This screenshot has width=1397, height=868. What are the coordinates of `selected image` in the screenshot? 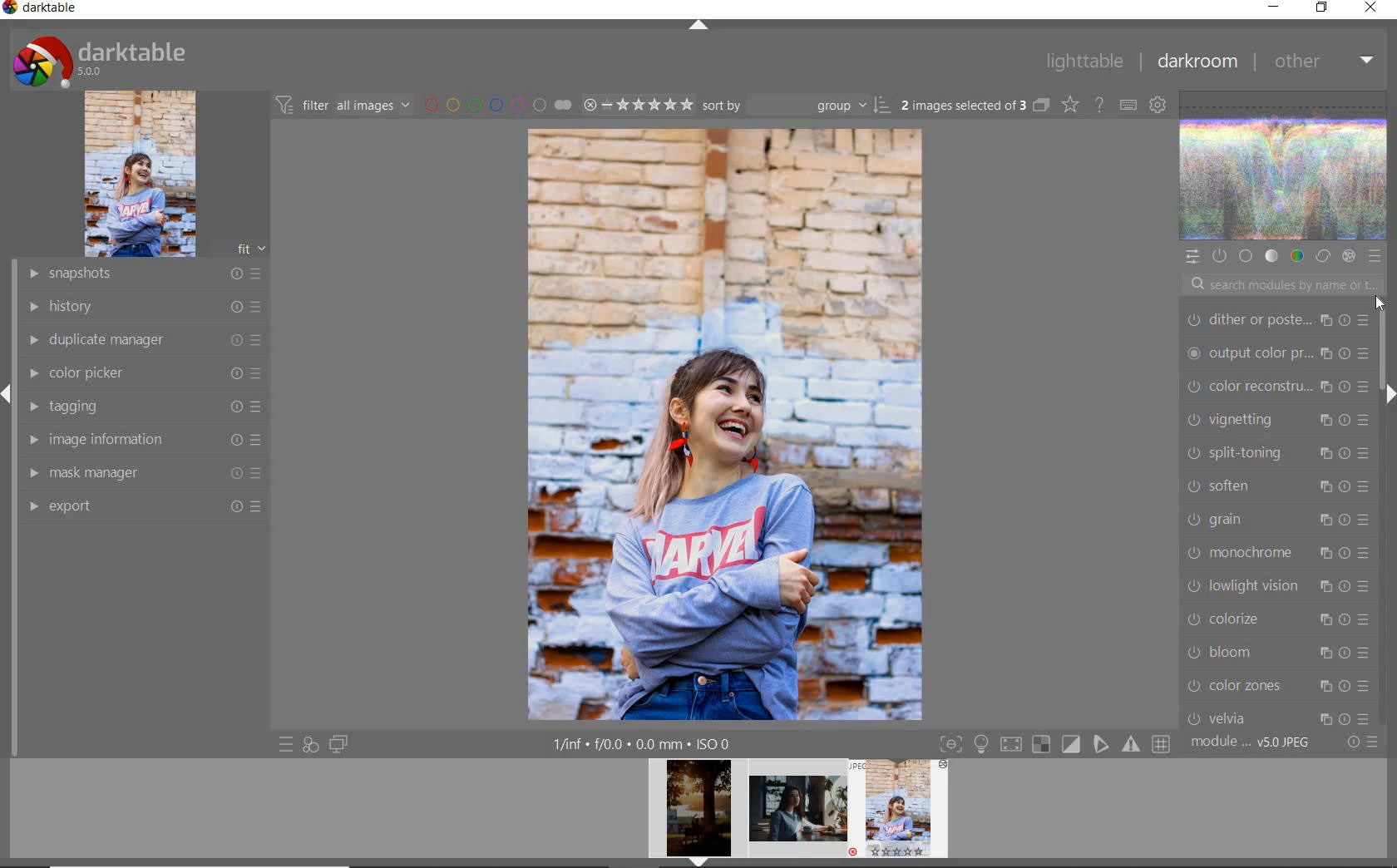 It's located at (726, 422).